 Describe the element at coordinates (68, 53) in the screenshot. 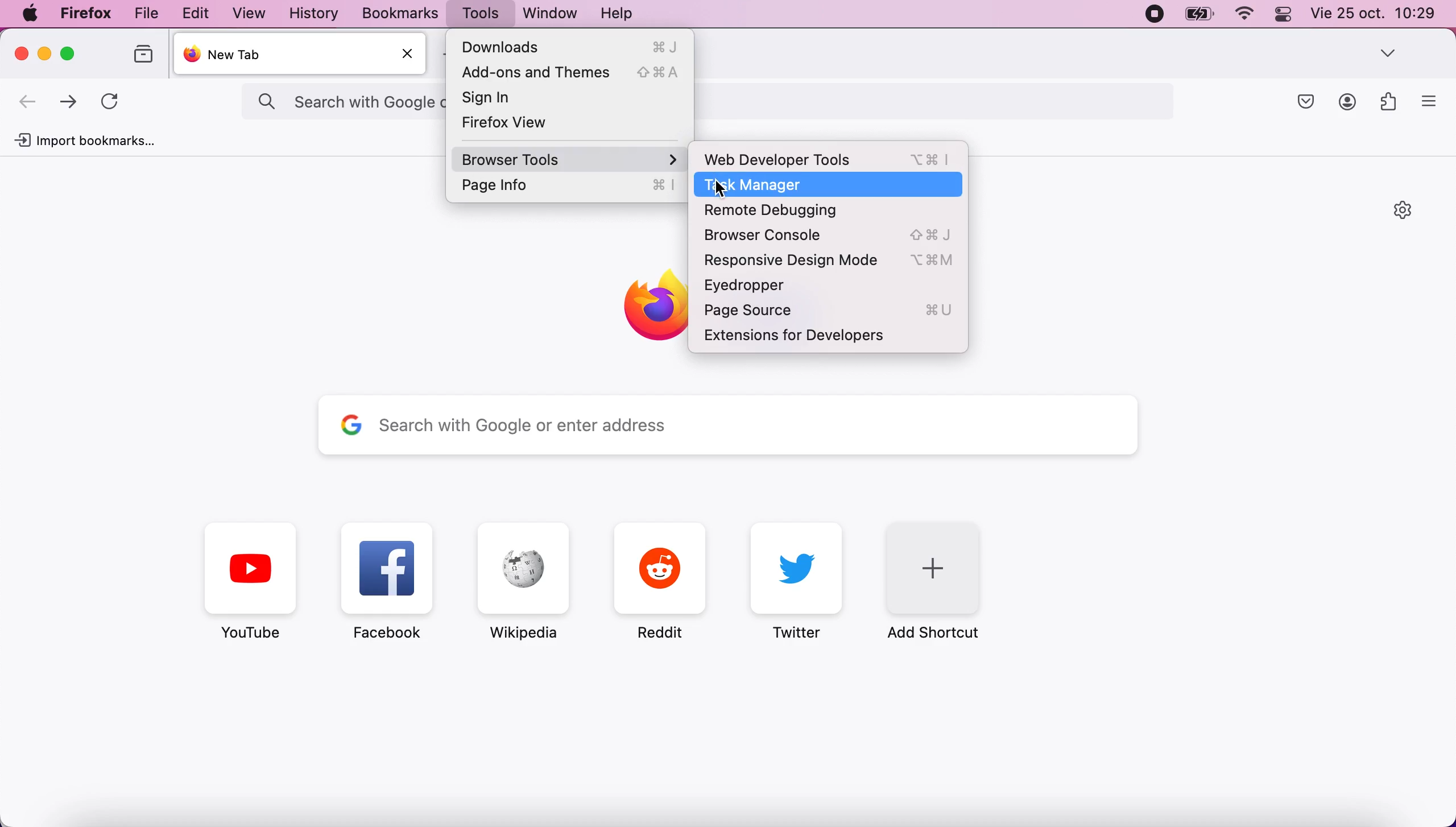

I see `Maximize` at that location.